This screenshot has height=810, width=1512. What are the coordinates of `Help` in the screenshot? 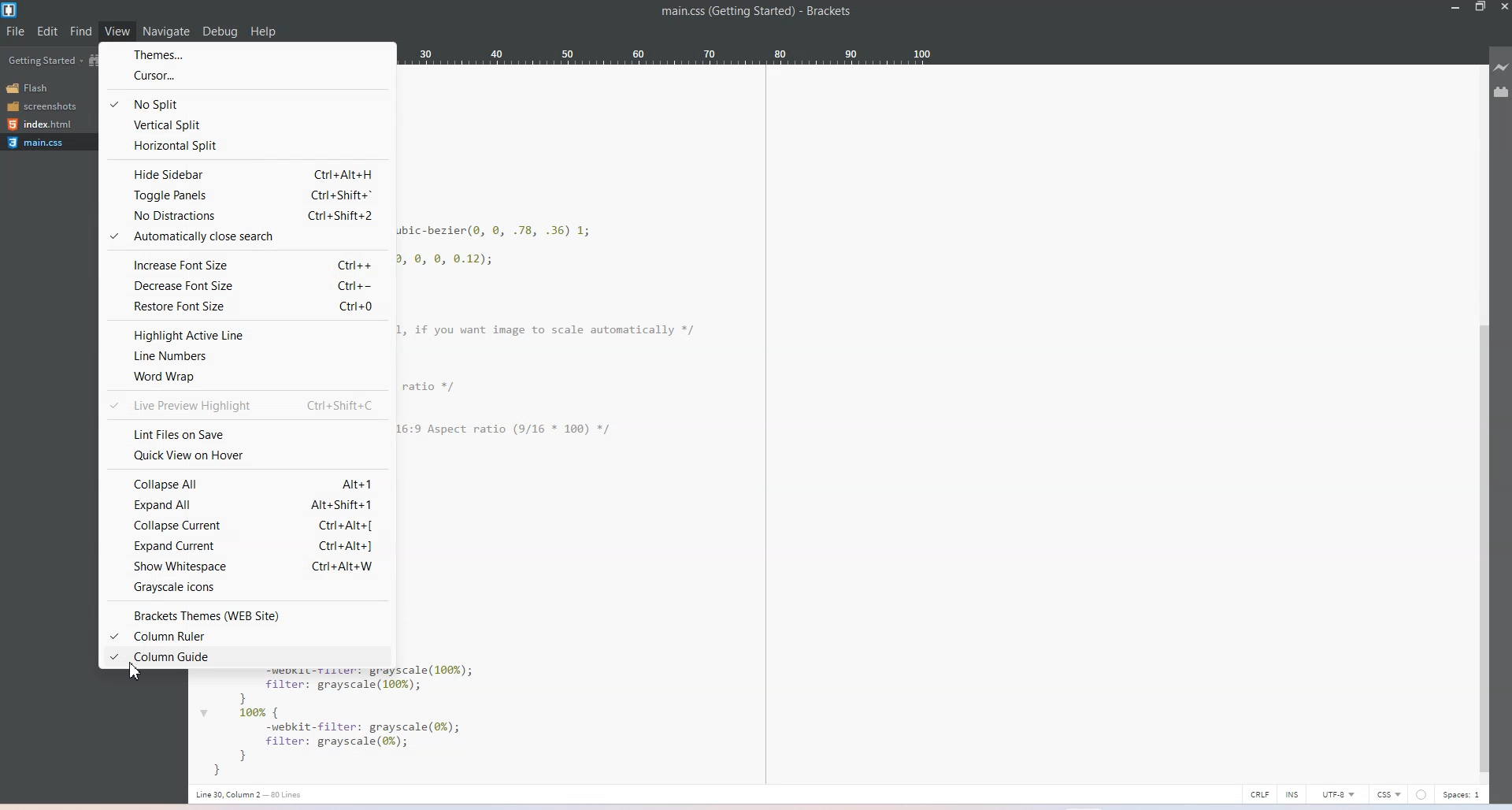 It's located at (264, 32).